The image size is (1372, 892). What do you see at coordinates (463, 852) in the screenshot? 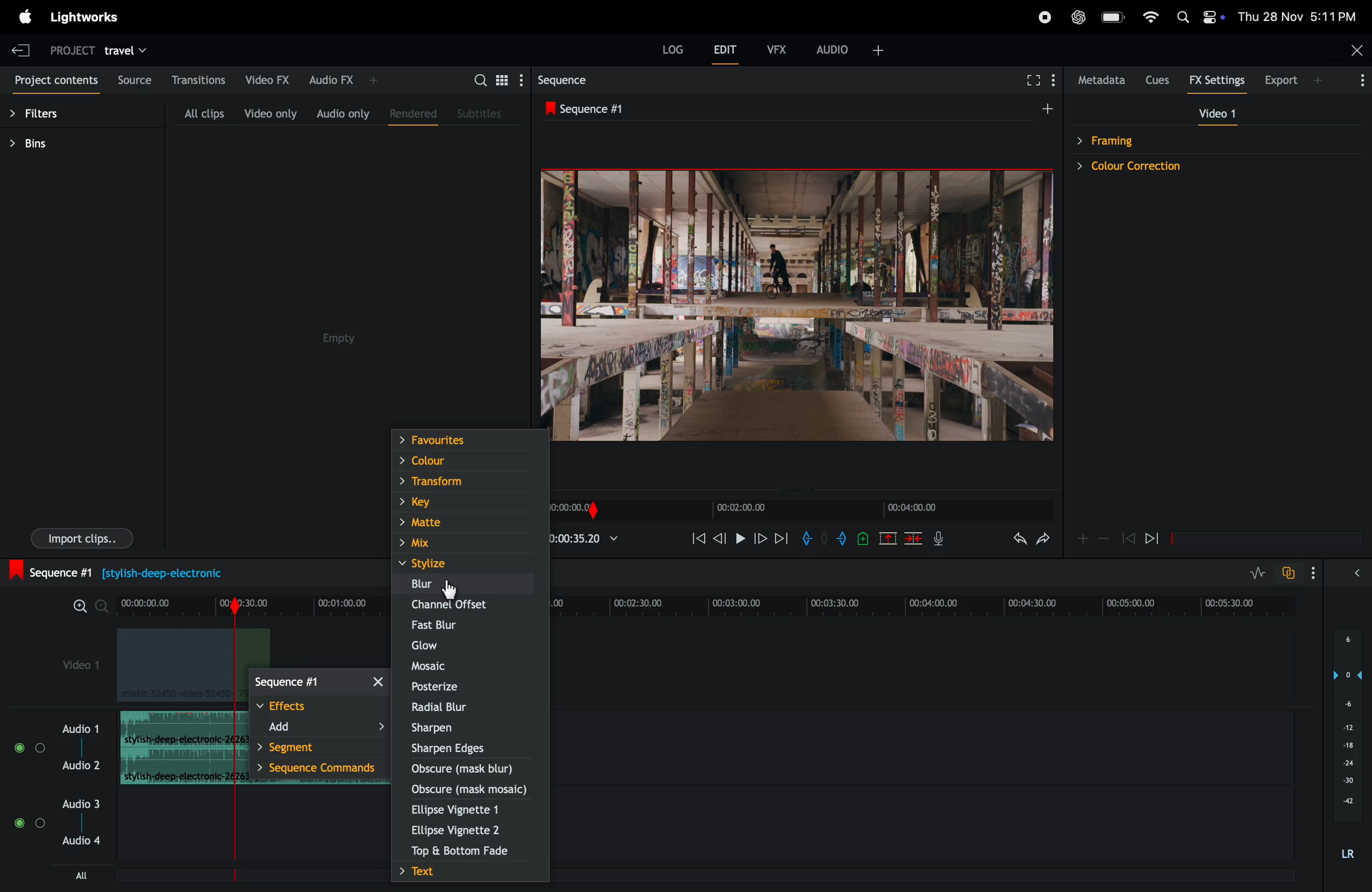
I see `top and bottom fade` at bounding box center [463, 852].